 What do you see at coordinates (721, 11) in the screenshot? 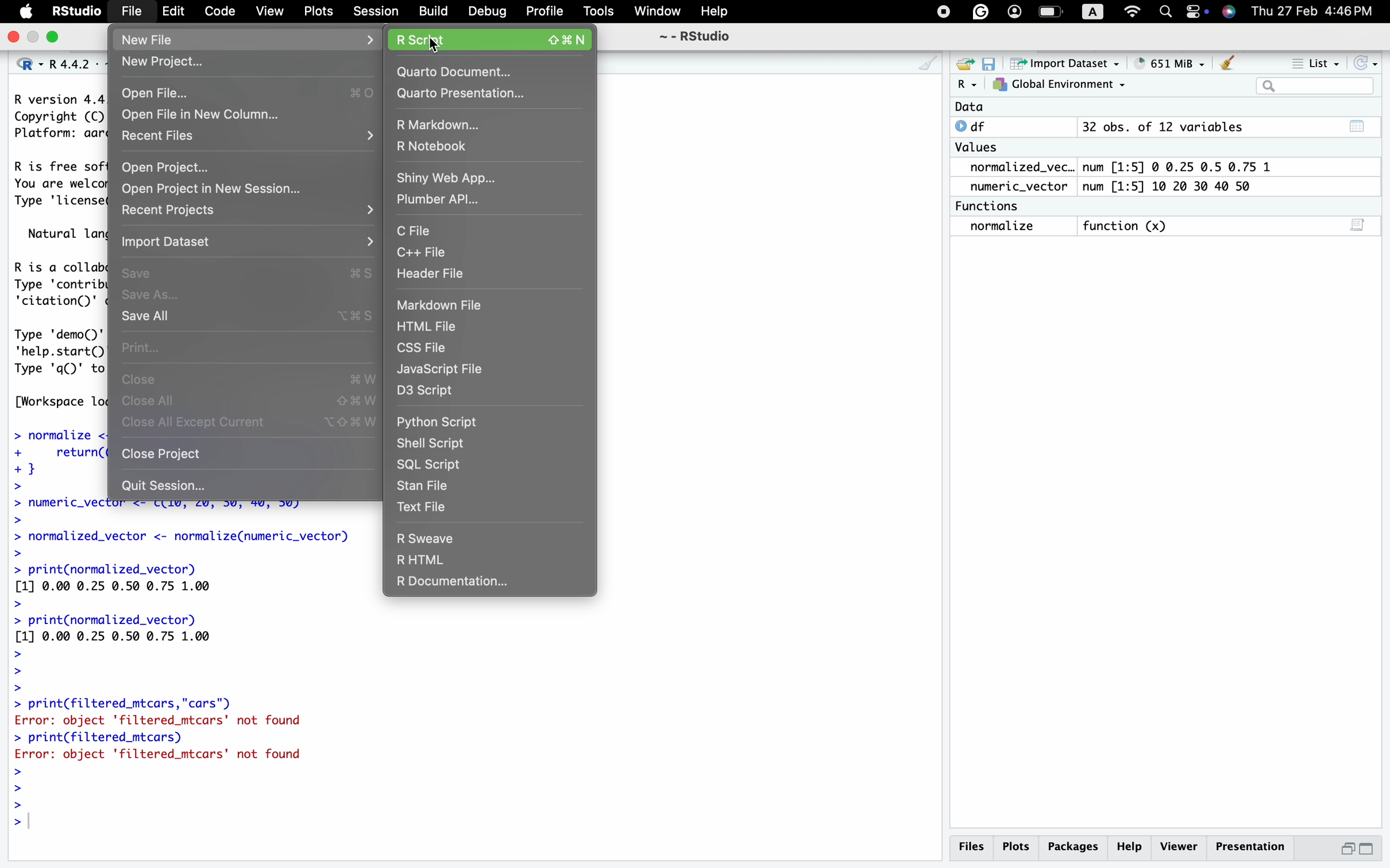
I see `Help` at bounding box center [721, 11].